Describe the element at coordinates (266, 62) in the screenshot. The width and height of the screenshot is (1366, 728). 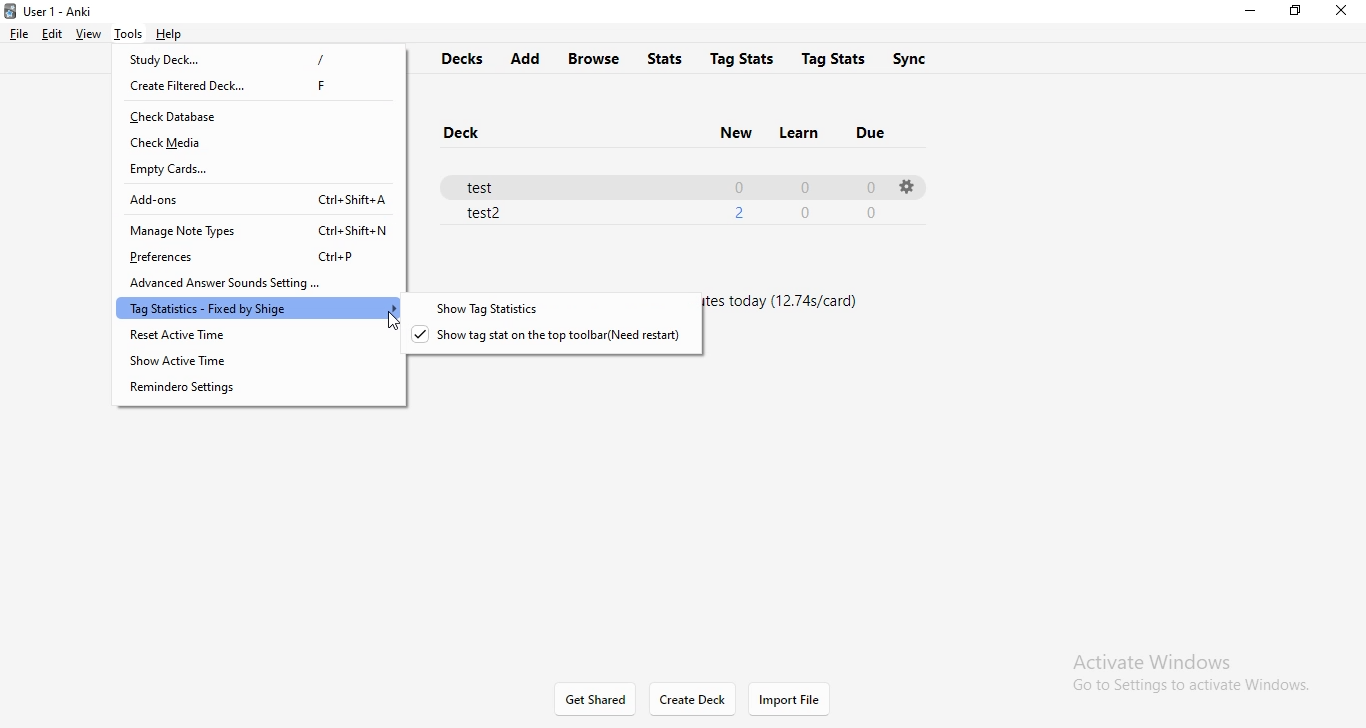
I see `study deck` at that location.